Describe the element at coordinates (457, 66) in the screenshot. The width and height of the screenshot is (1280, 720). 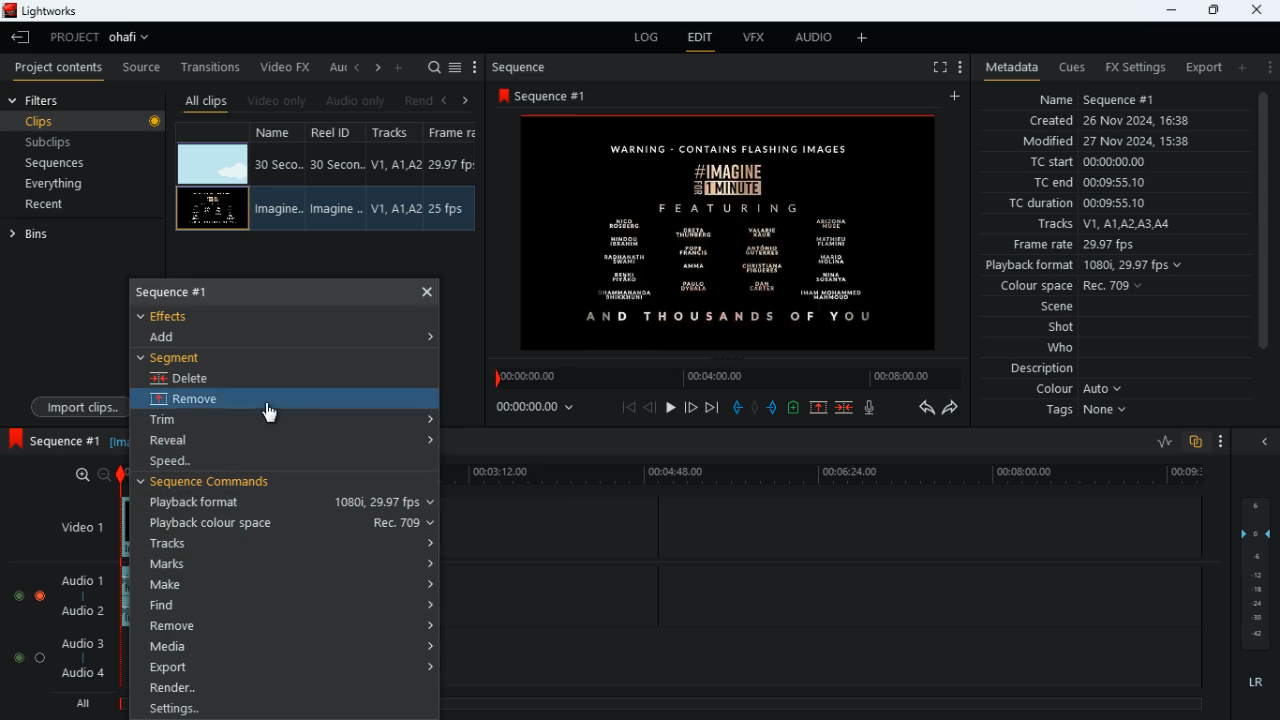
I see `select` at that location.